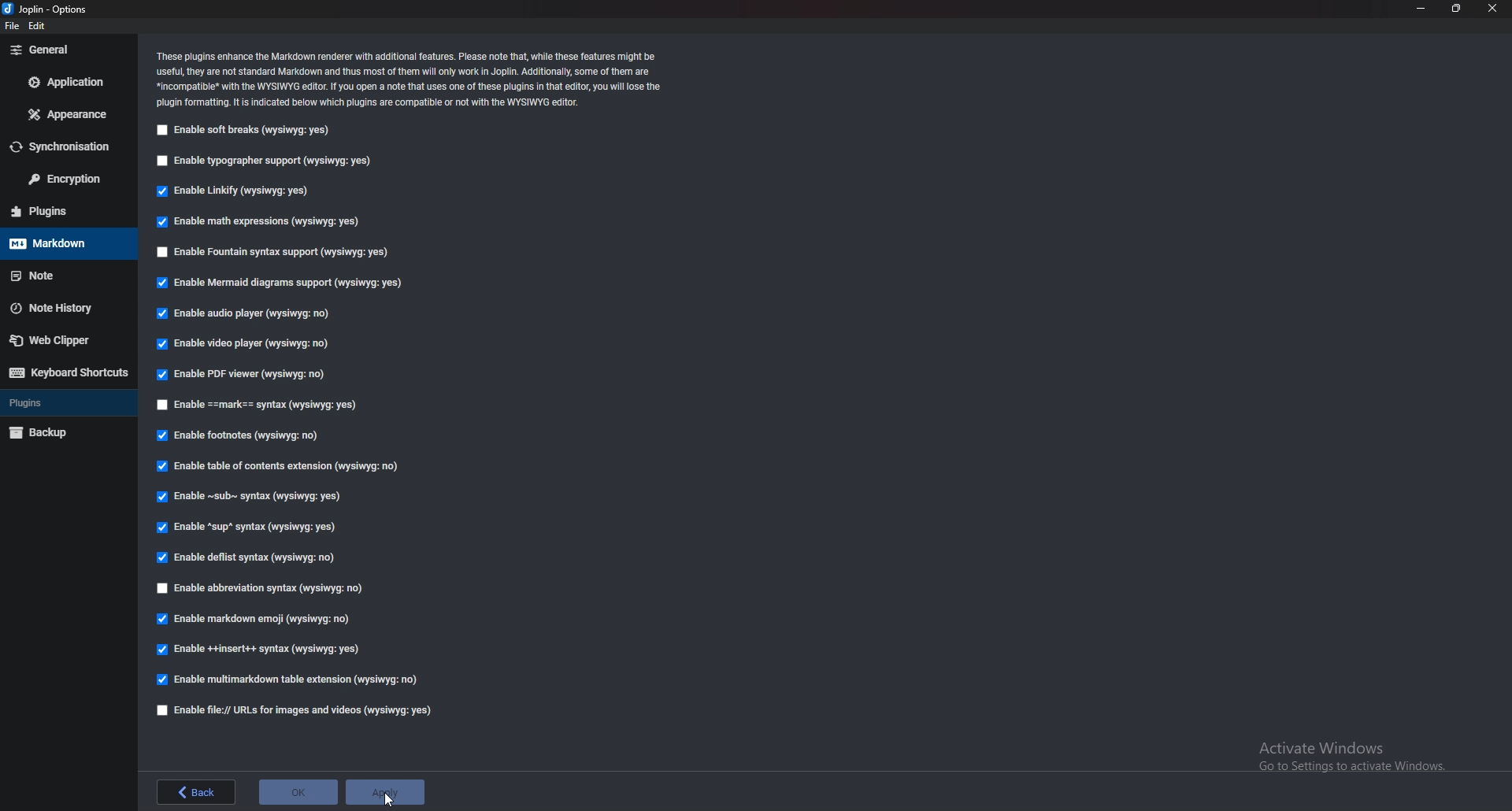 This screenshot has height=811, width=1512. Describe the element at coordinates (69, 113) in the screenshot. I see `Appearance` at that location.